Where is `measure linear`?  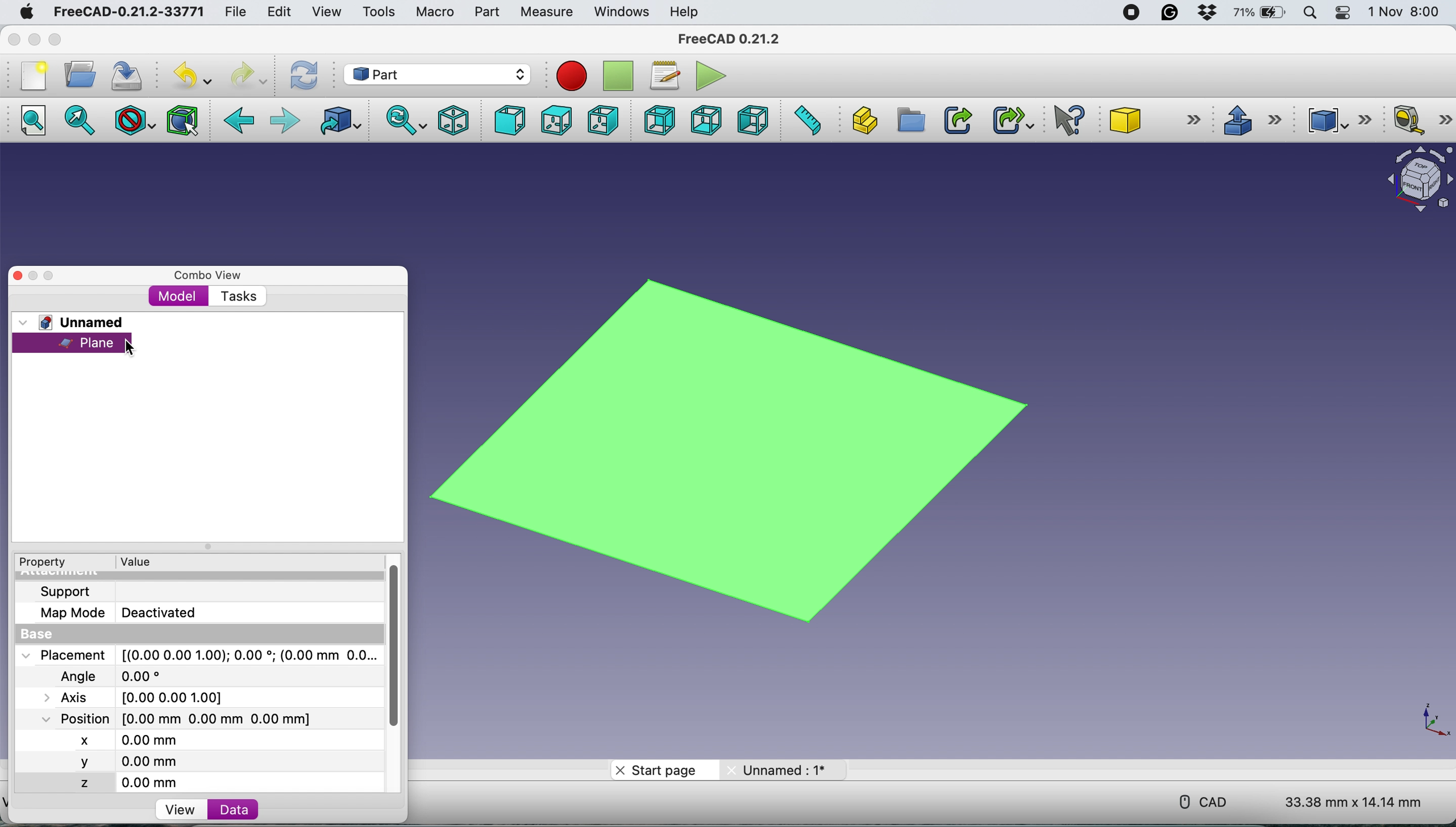 measure linear is located at coordinates (1421, 119).